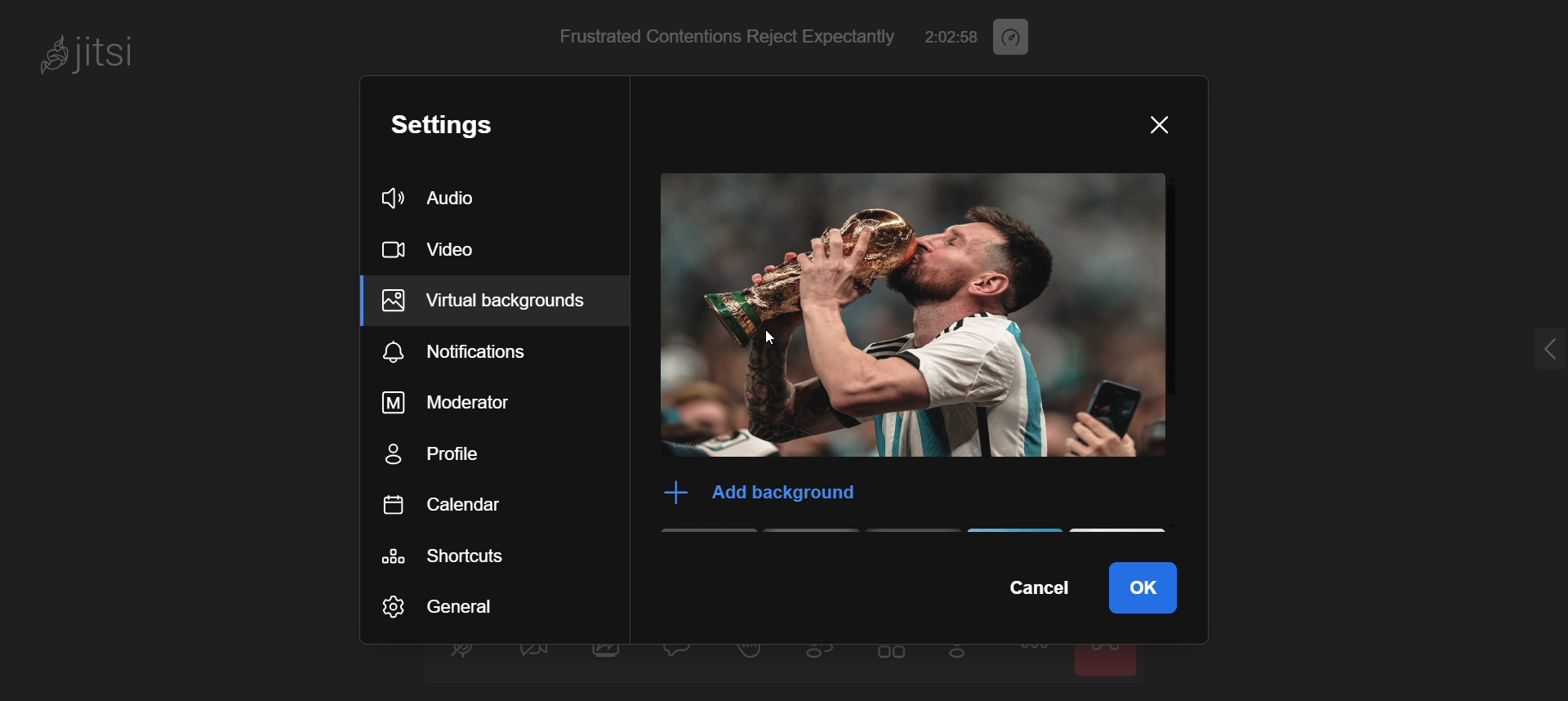  What do you see at coordinates (476, 403) in the screenshot?
I see `moderator` at bounding box center [476, 403].